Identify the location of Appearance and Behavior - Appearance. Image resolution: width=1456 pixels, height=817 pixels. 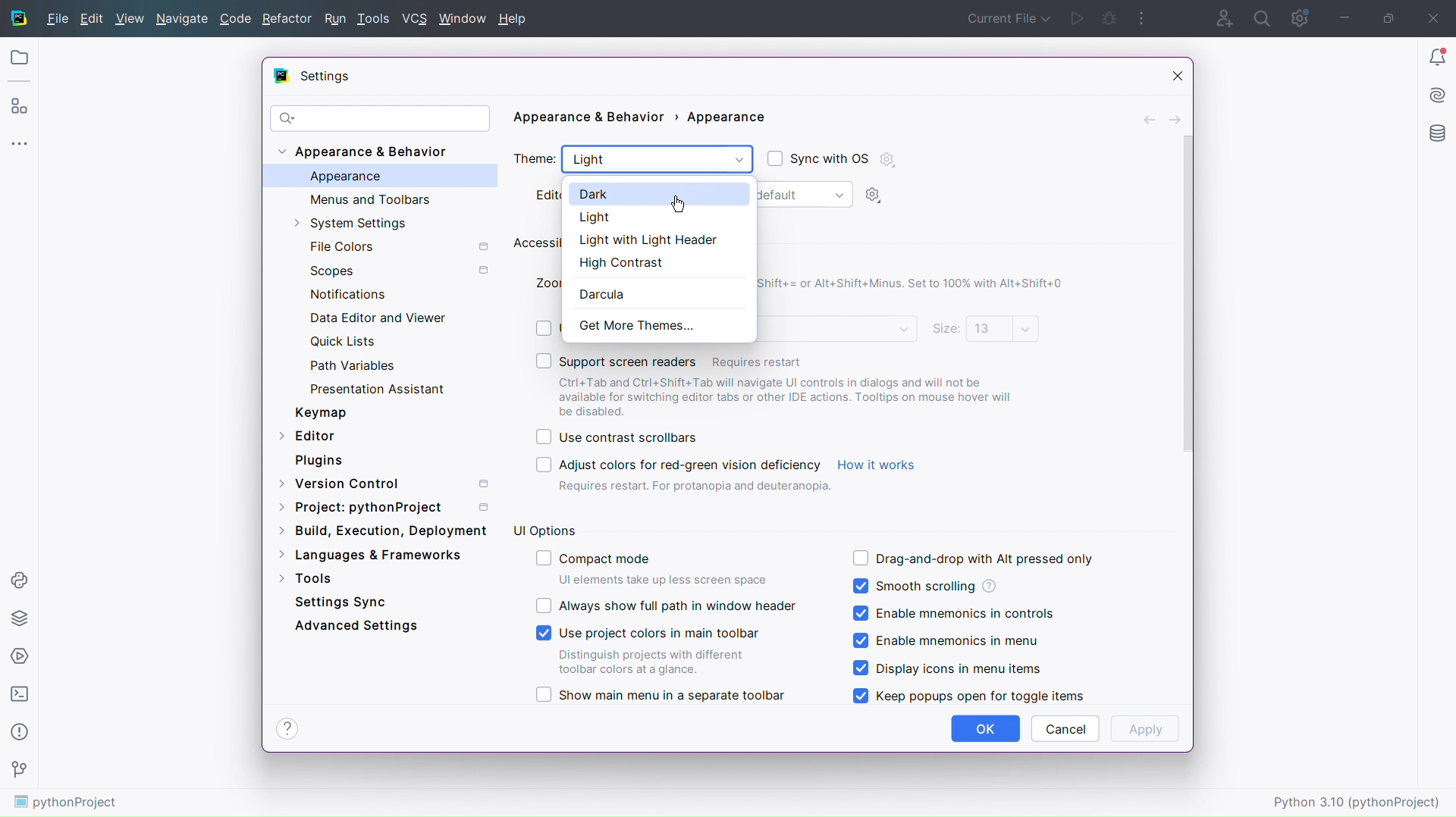
(644, 121).